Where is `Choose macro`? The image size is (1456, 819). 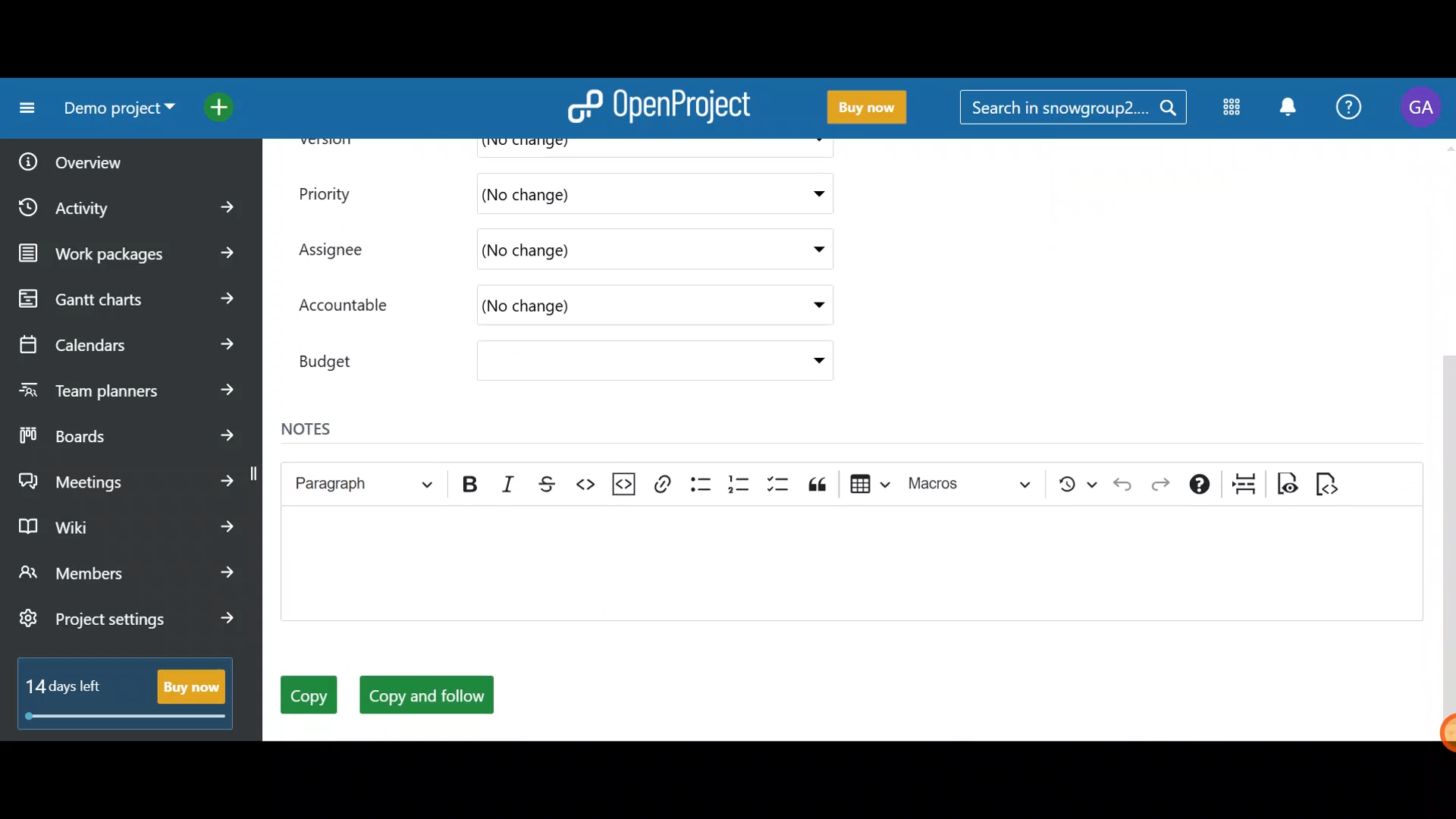 Choose macro is located at coordinates (980, 483).